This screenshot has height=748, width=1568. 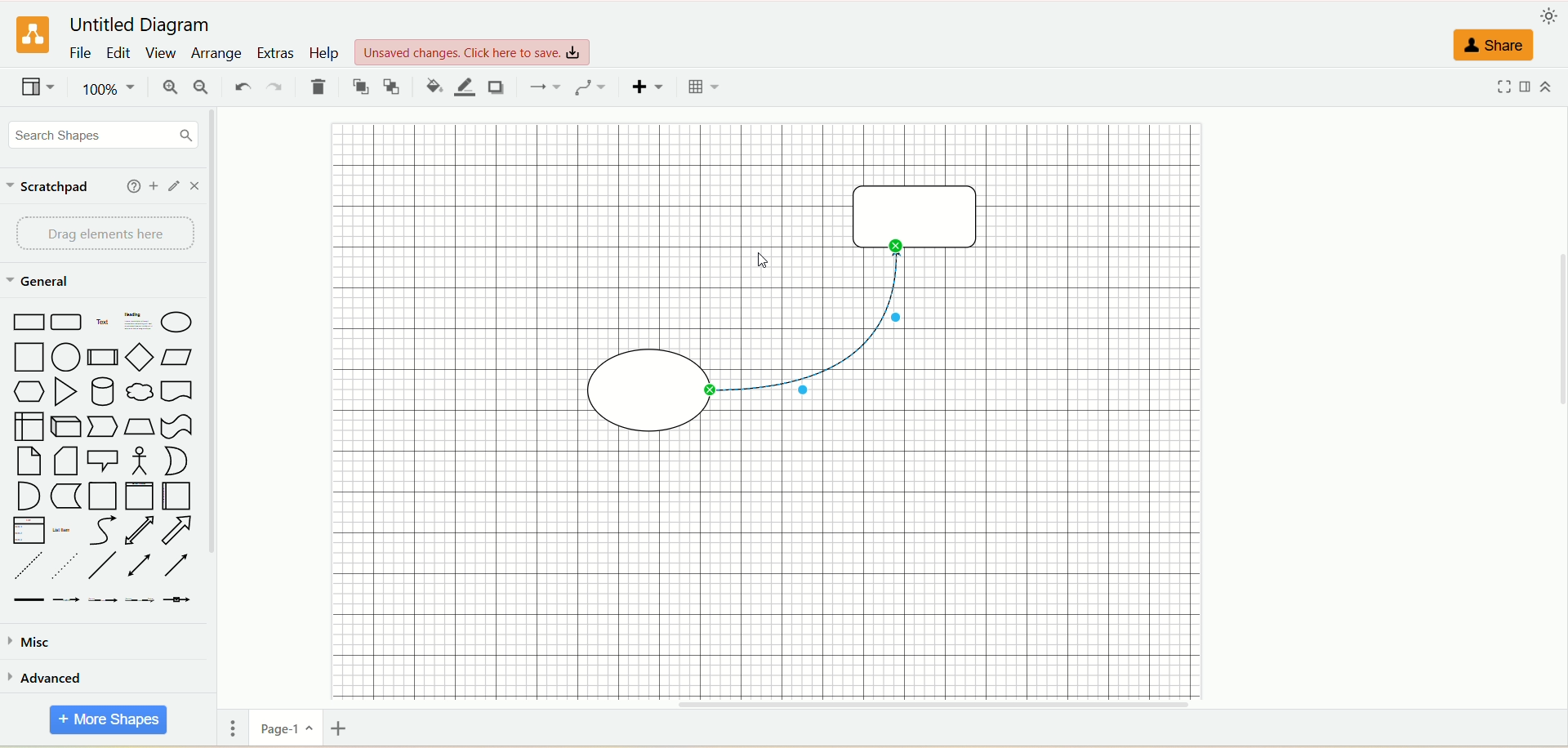 I want to click on zoom in, so click(x=174, y=89).